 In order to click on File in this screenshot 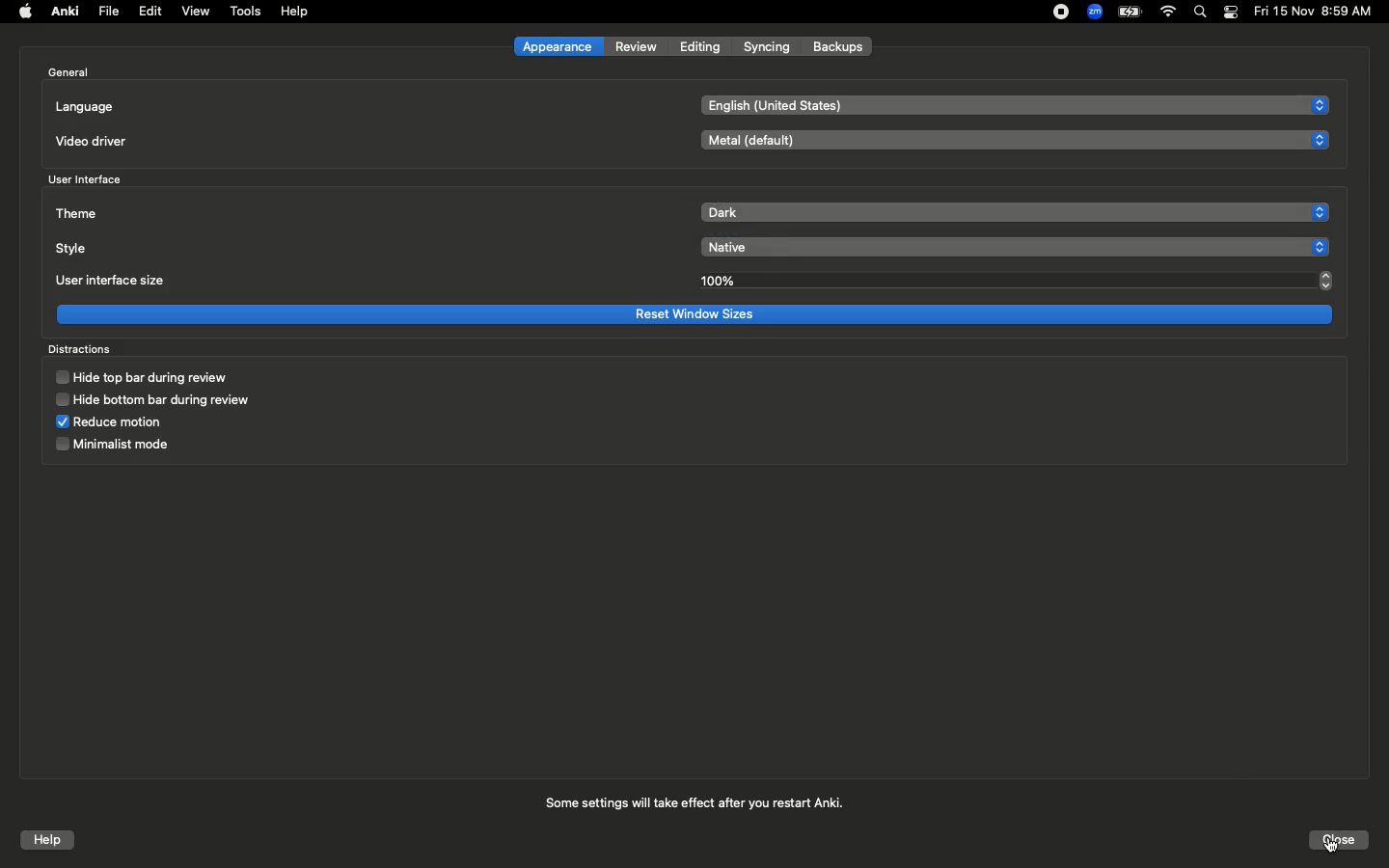, I will do `click(110, 10)`.